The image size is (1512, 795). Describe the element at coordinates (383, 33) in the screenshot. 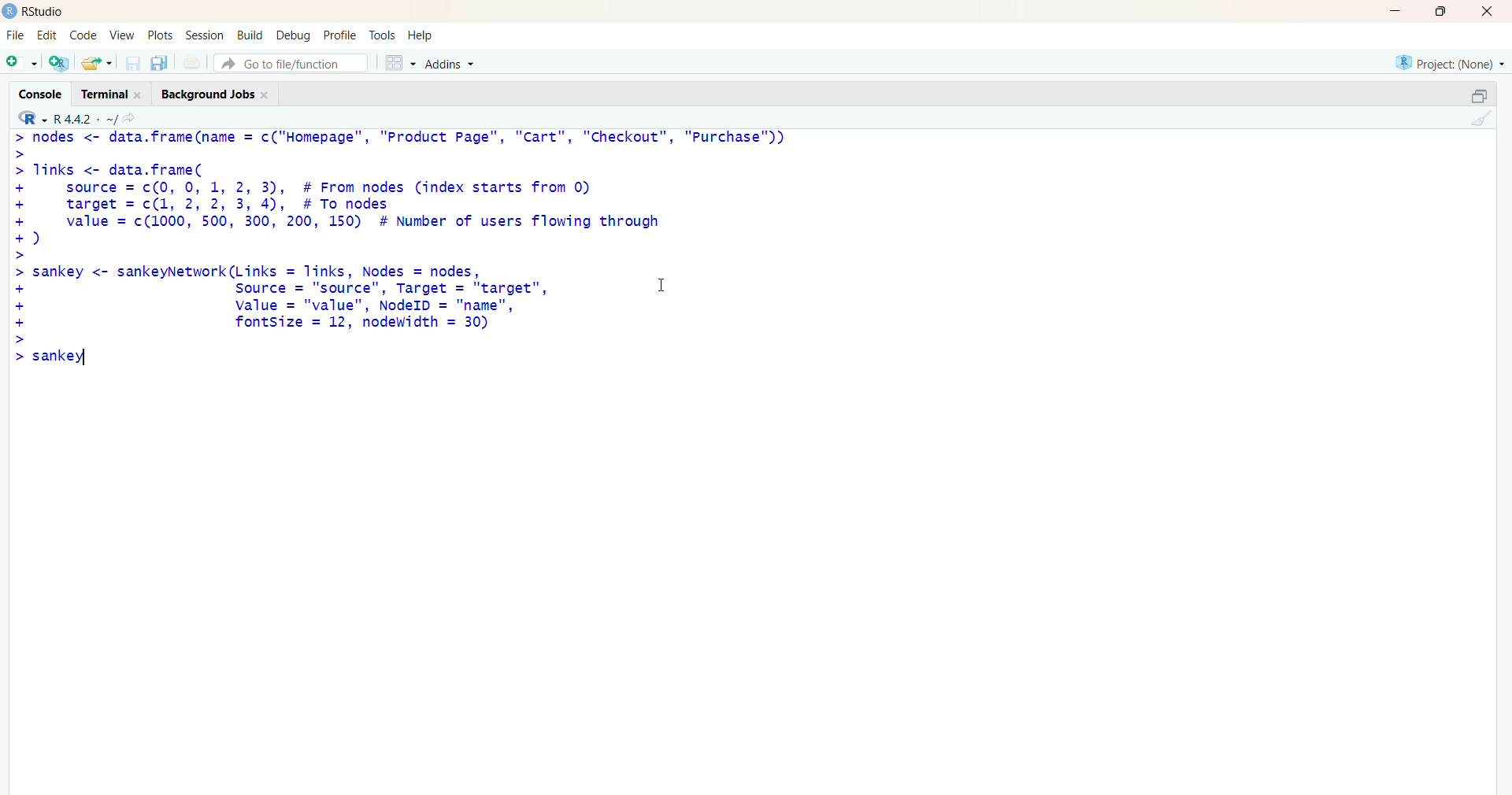

I see `tools` at that location.